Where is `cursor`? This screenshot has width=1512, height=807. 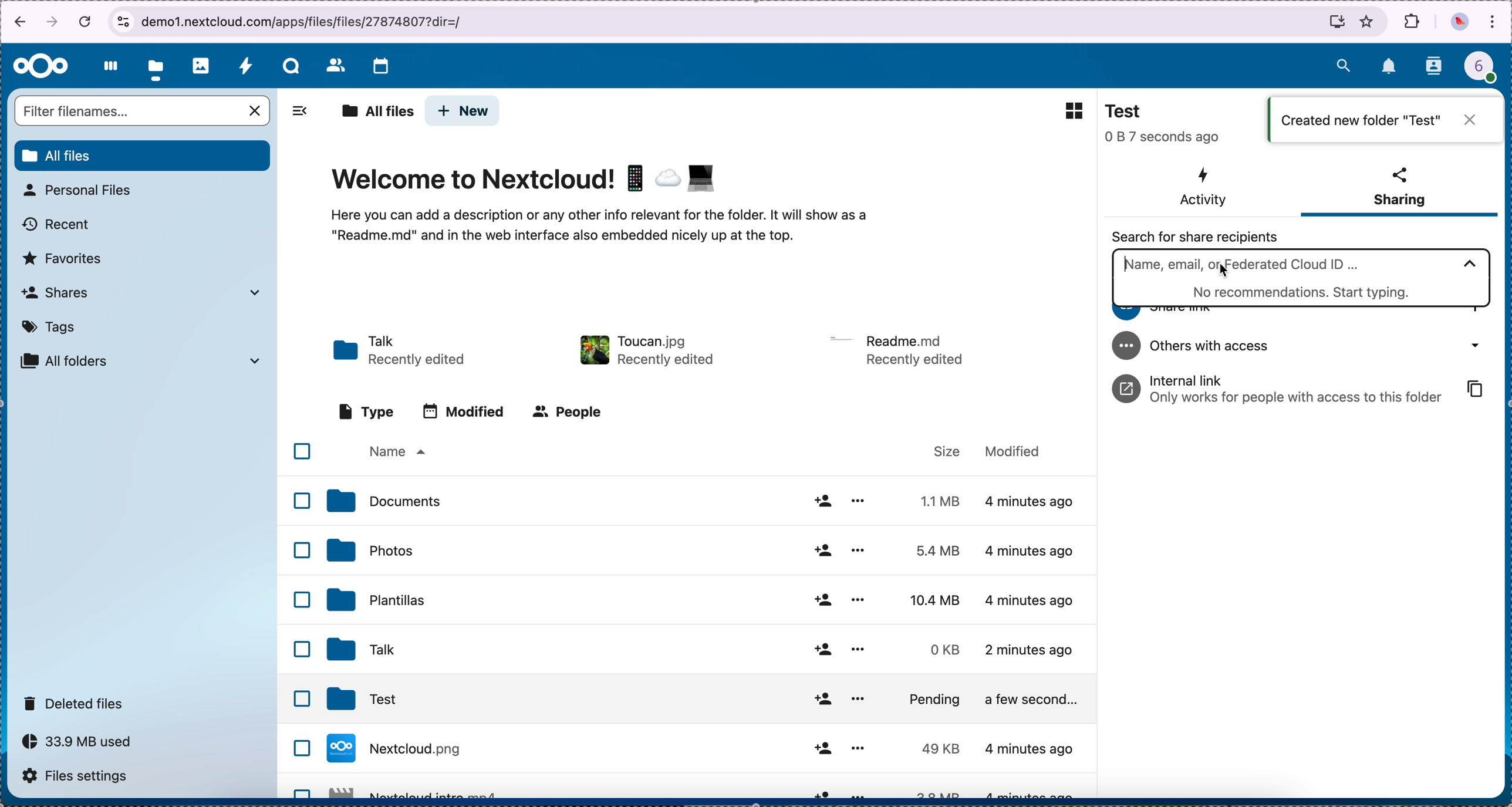 cursor is located at coordinates (1224, 271).